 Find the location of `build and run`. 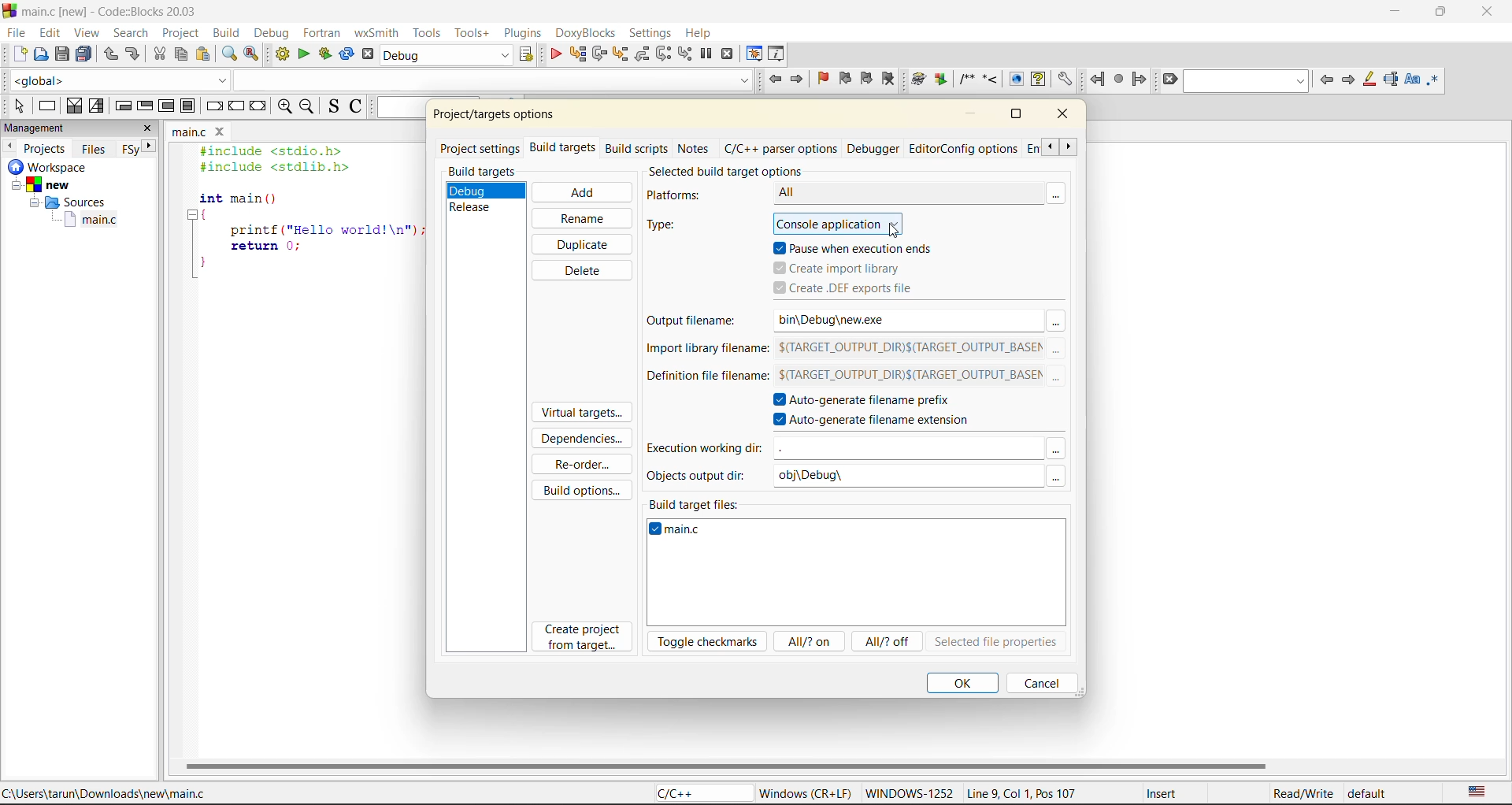

build and run is located at coordinates (326, 54).